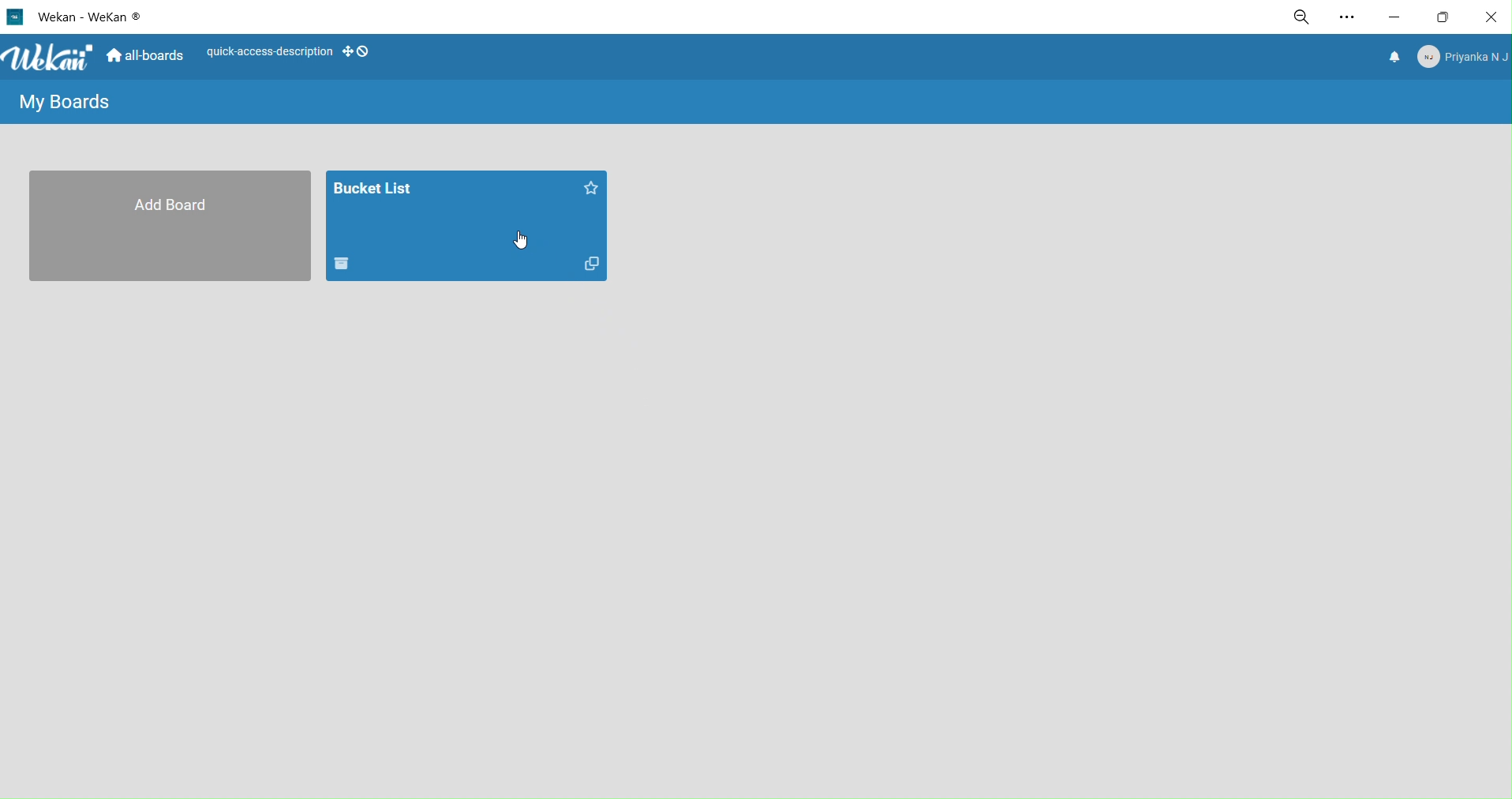 The image size is (1512, 799). What do you see at coordinates (1463, 57) in the screenshot?
I see `member menu pop up title` at bounding box center [1463, 57].